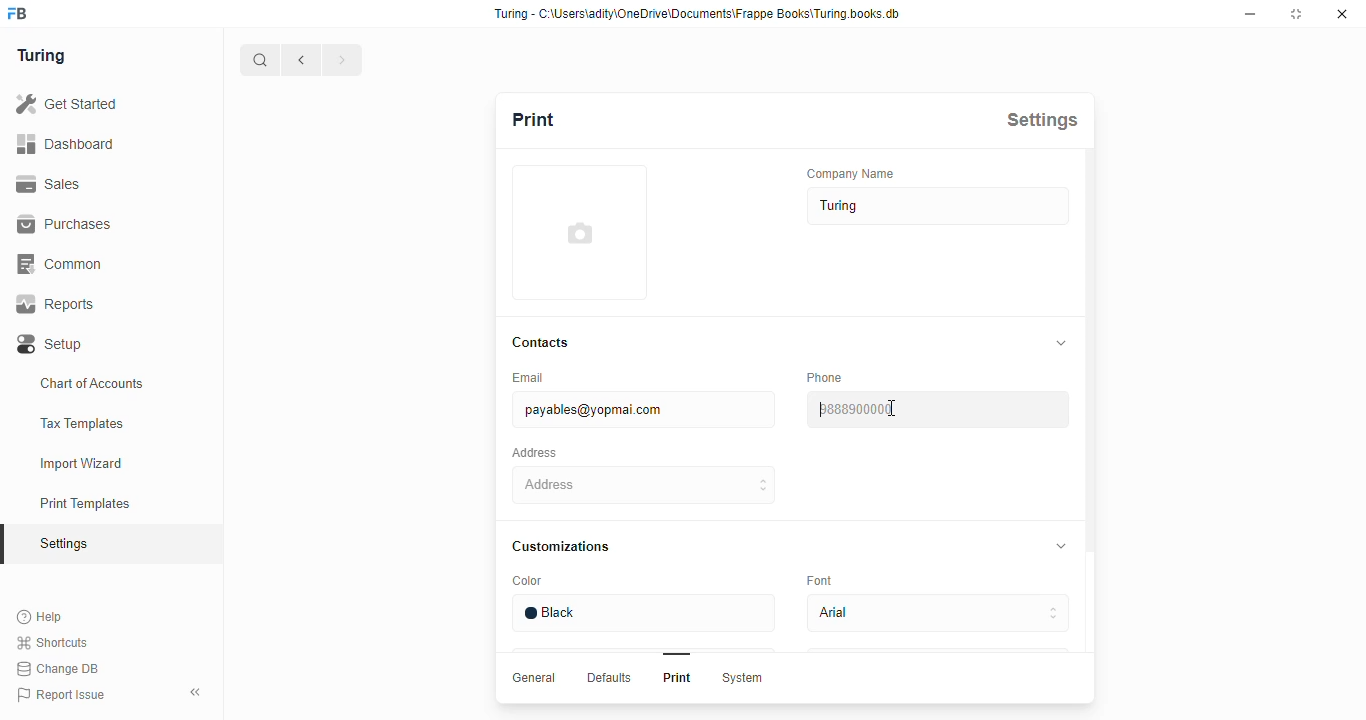 The width and height of the screenshot is (1366, 720). Describe the element at coordinates (108, 341) in the screenshot. I see `Setup` at that location.